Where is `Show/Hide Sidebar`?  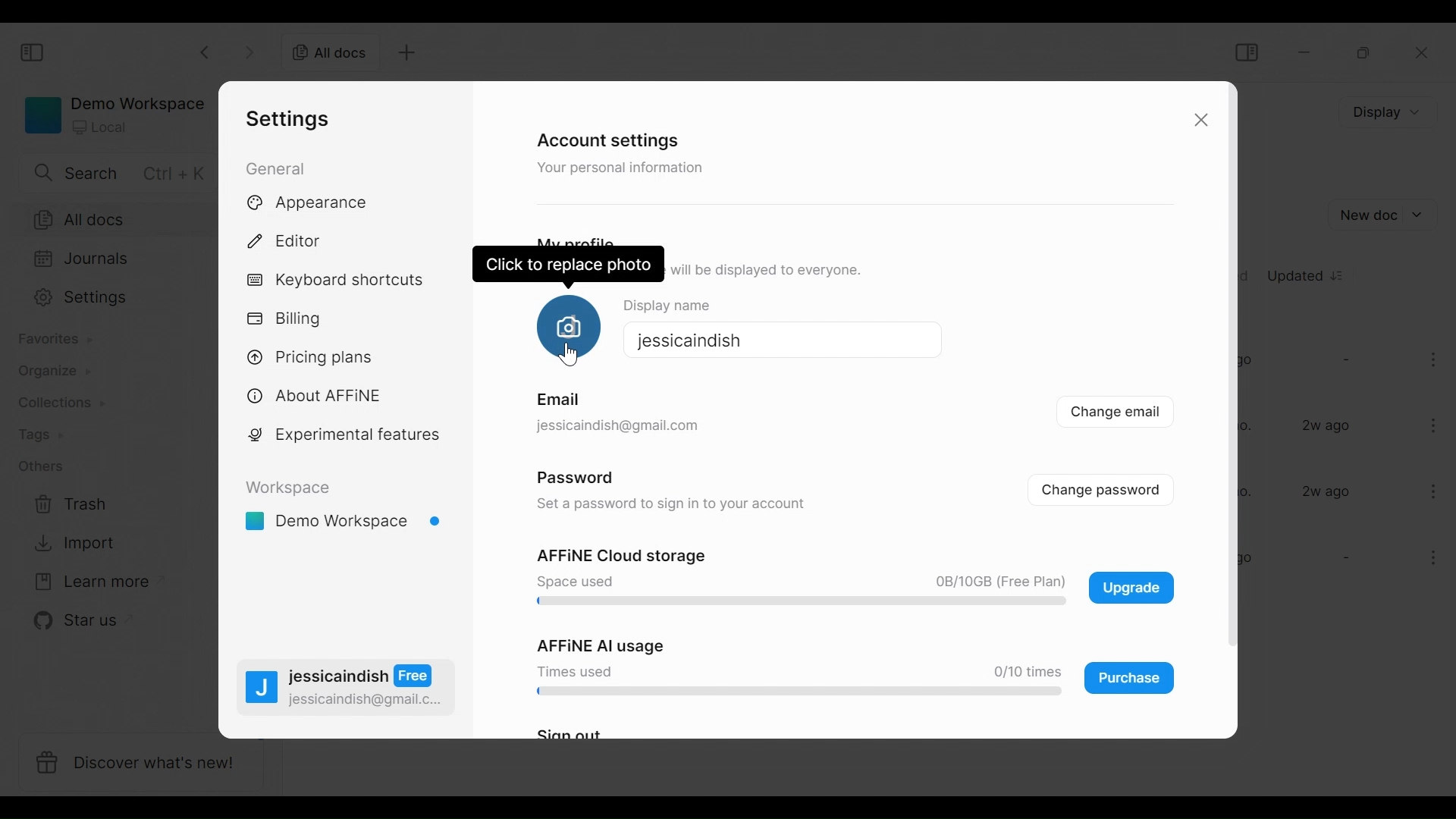 Show/Hide Sidebar is located at coordinates (1245, 52).